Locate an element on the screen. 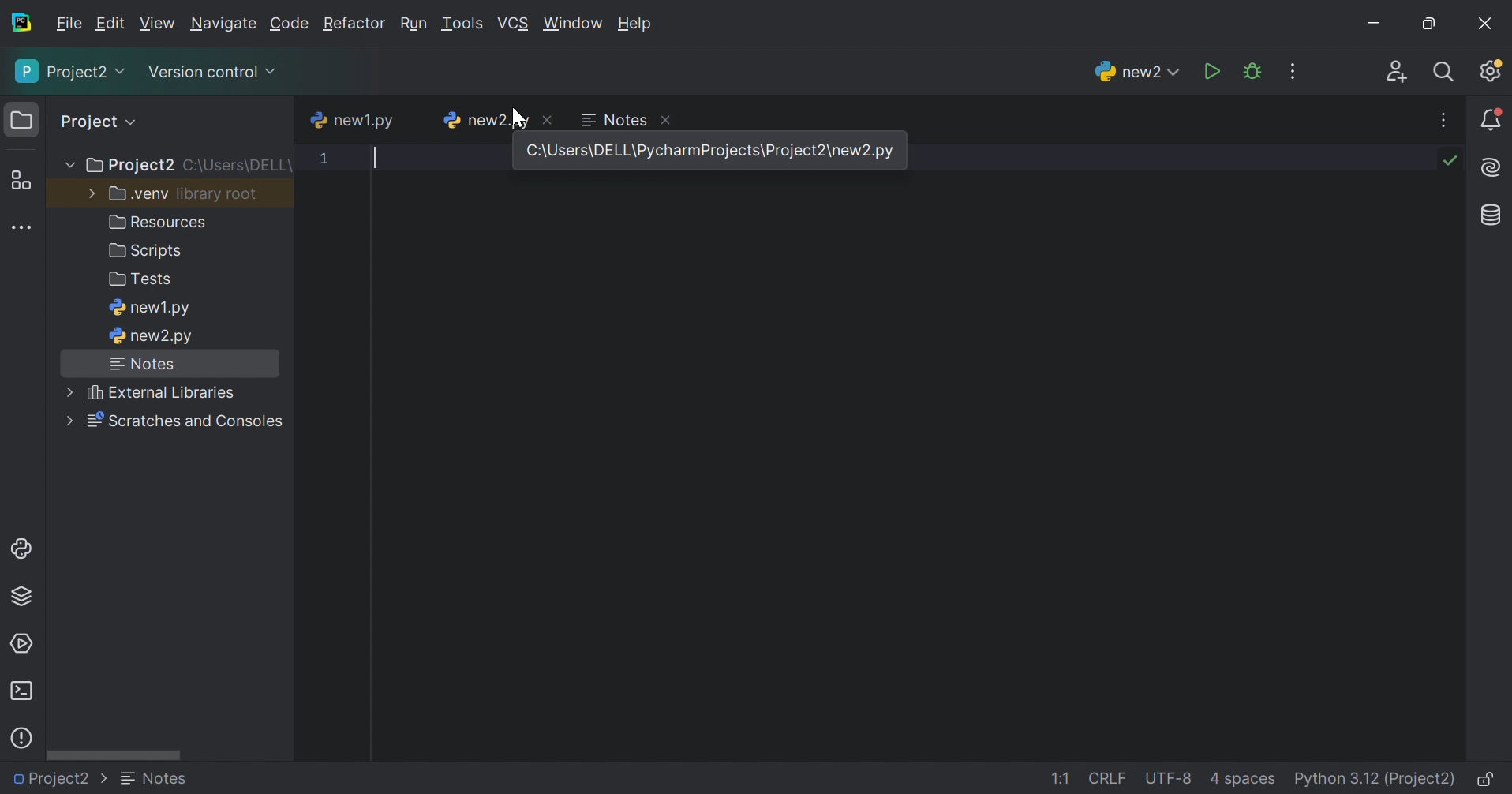 The image size is (1512, 794). Search everywhere is located at coordinates (1447, 73).